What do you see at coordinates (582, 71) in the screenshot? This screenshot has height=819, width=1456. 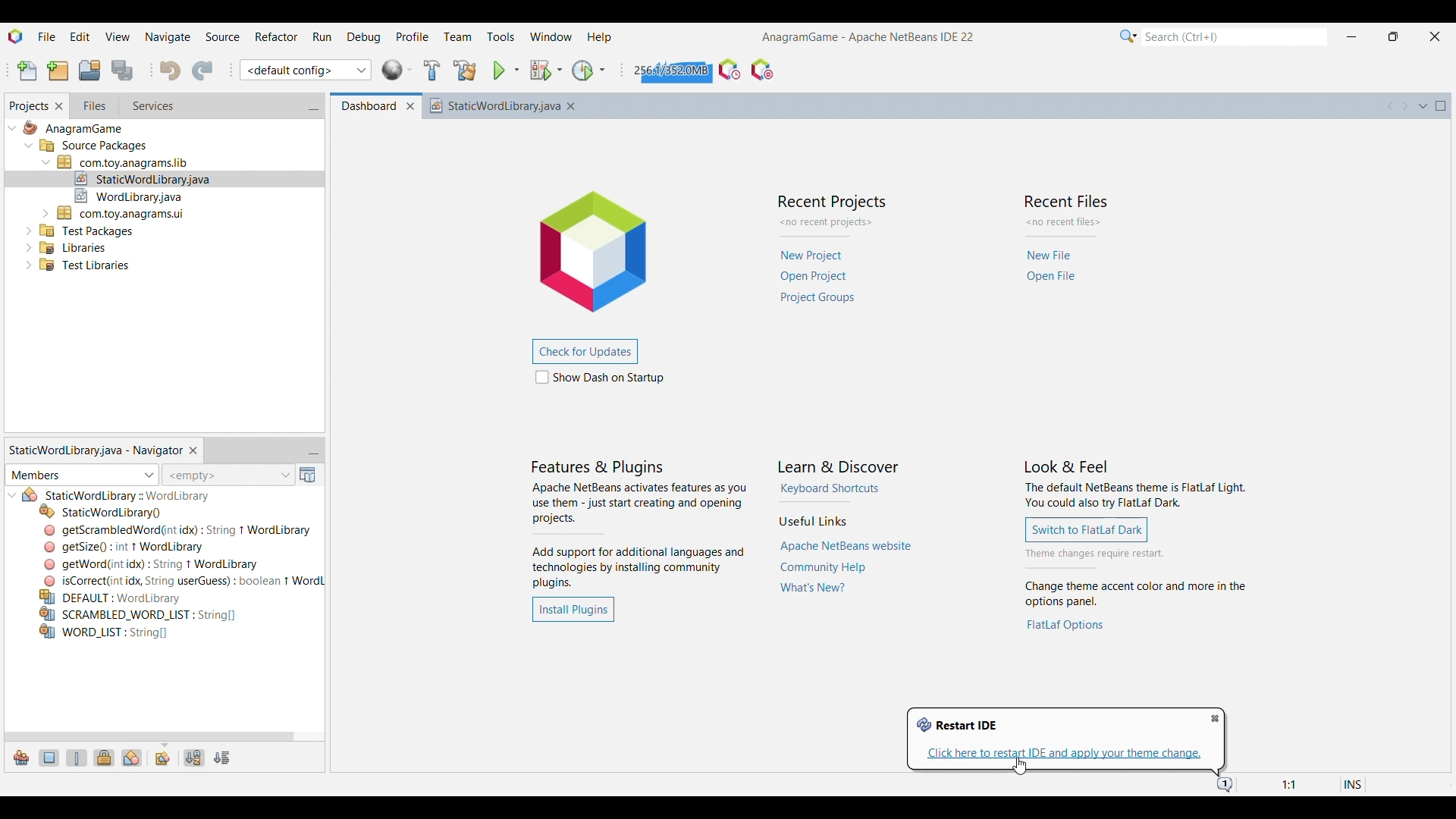 I see `Click to go to current Profile project selection` at bounding box center [582, 71].